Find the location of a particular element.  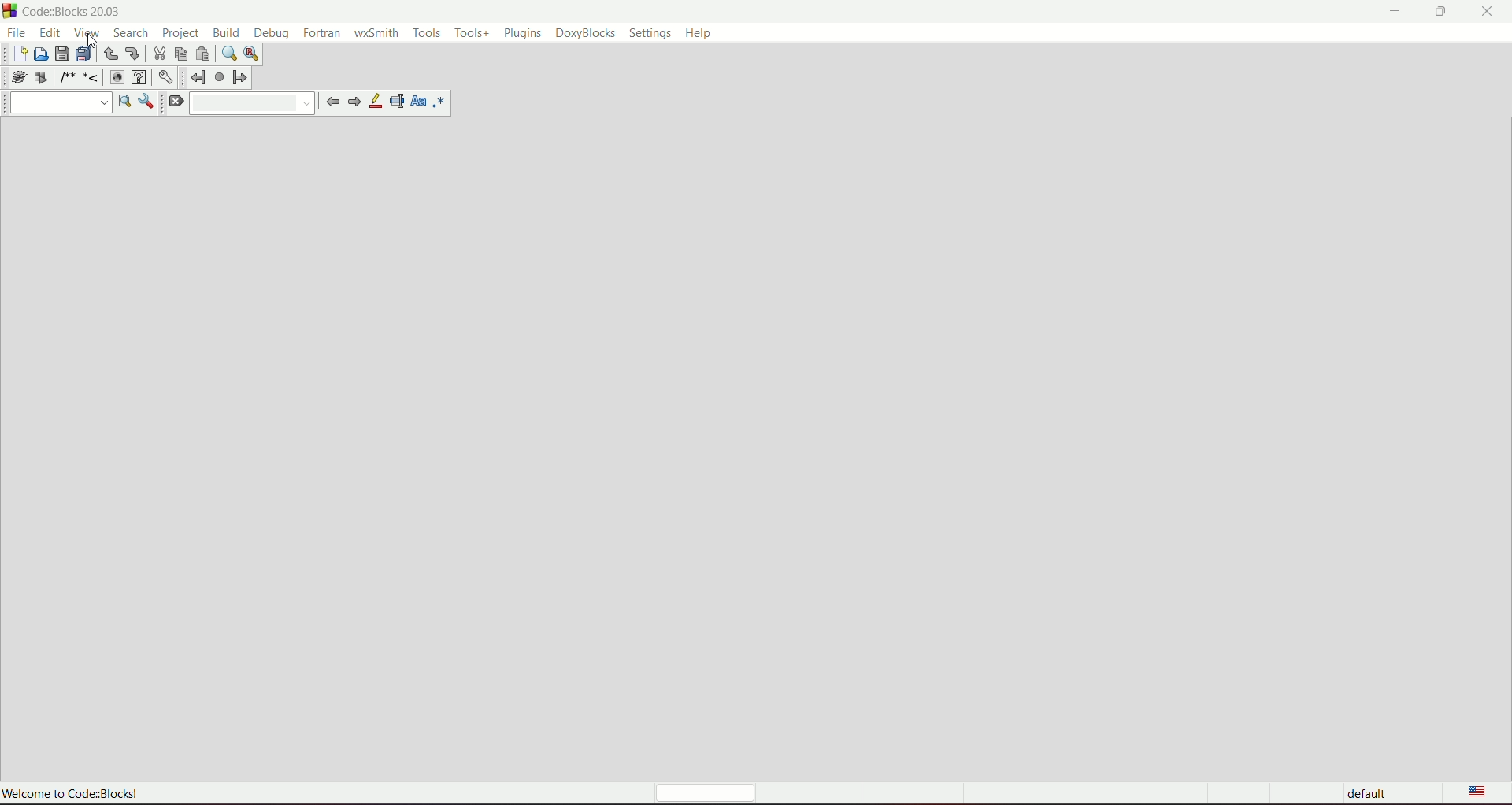

save is located at coordinates (63, 54).